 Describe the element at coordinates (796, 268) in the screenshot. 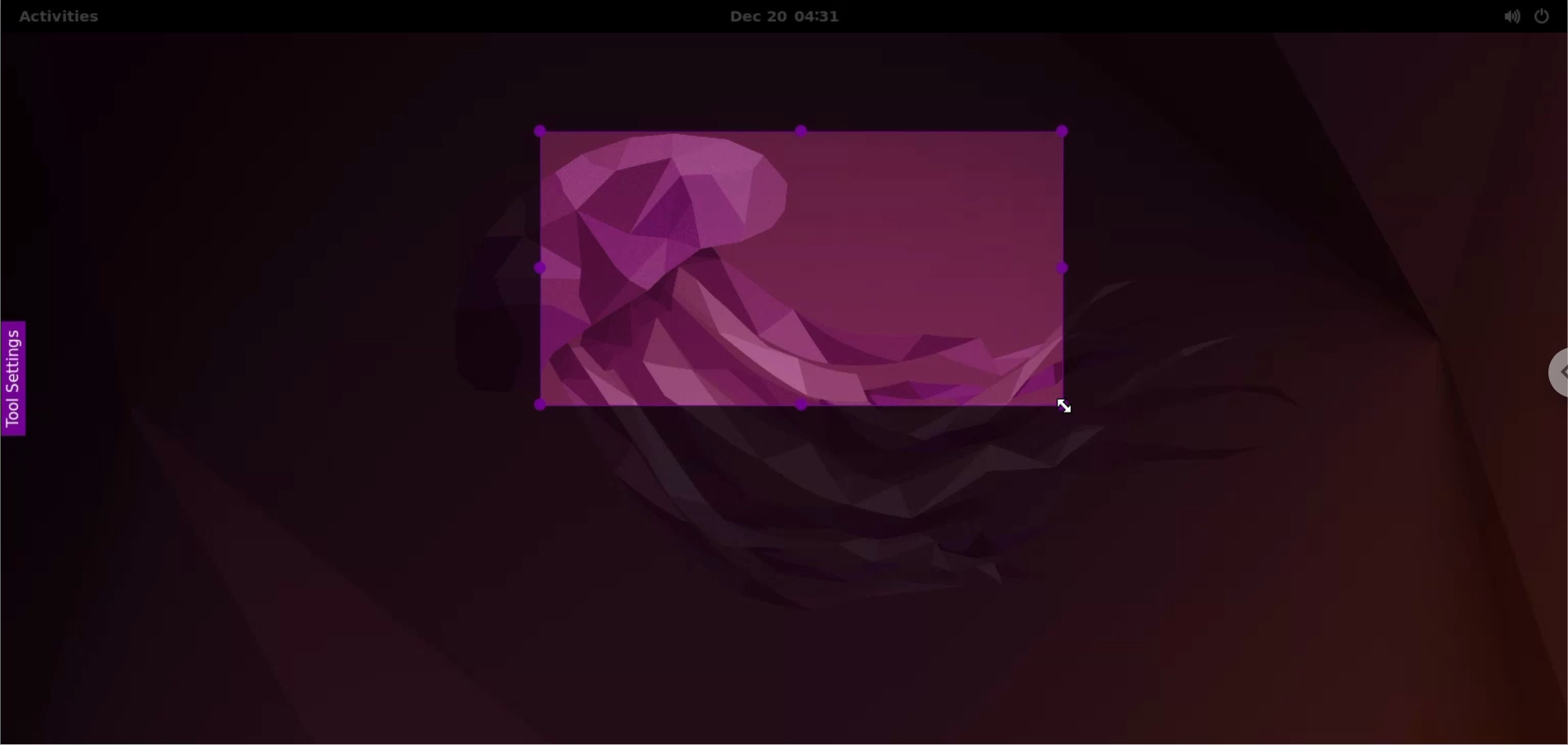

I see `select capture area` at that location.